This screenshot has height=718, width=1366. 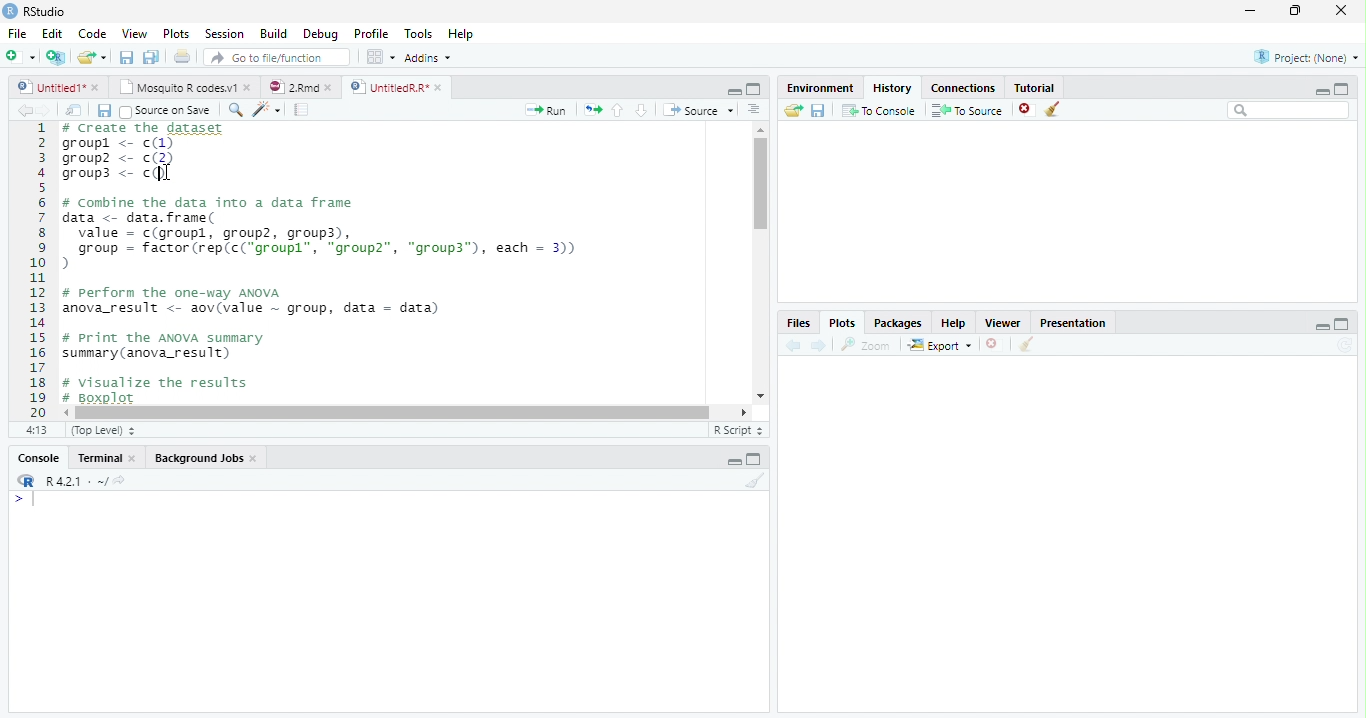 I want to click on Source on save, so click(x=169, y=111).